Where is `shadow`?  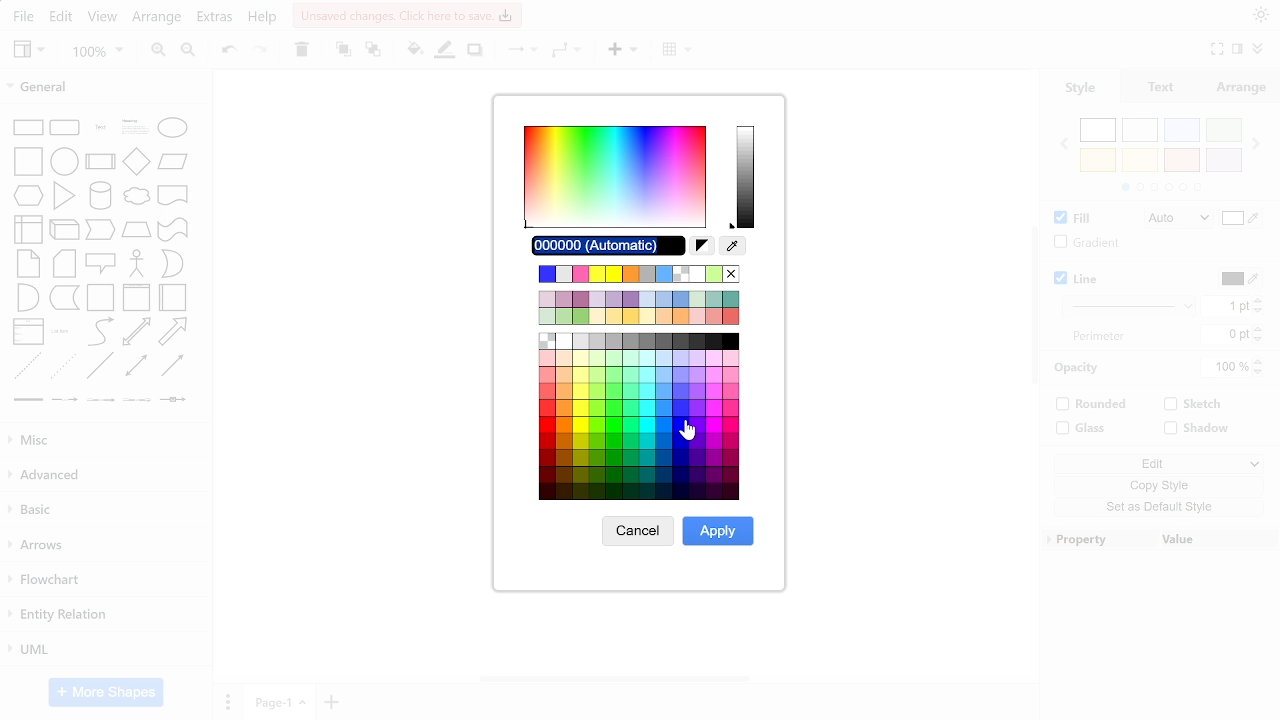 shadow is located at coordinates (475, 52).